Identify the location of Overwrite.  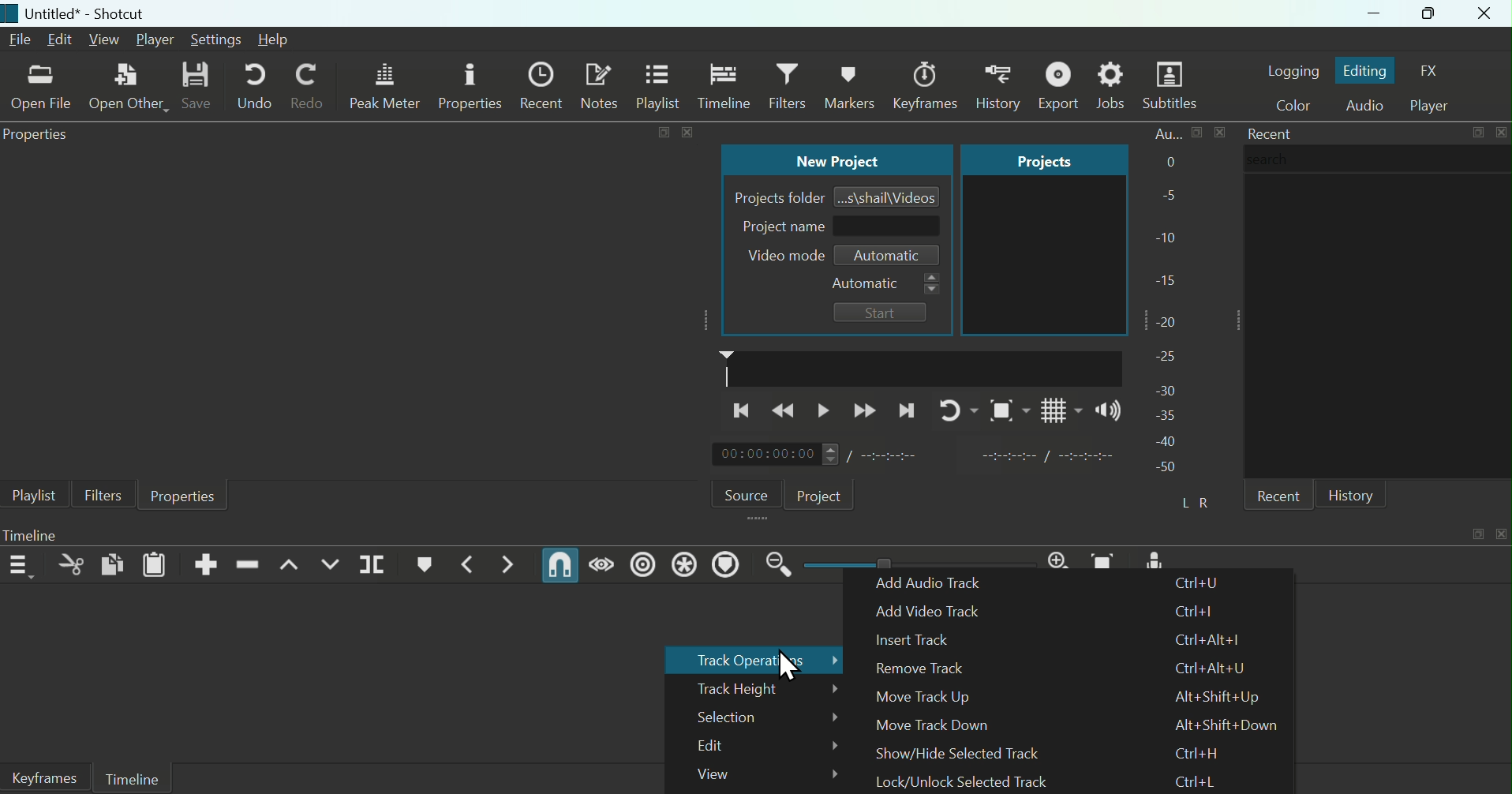
(331, 565).